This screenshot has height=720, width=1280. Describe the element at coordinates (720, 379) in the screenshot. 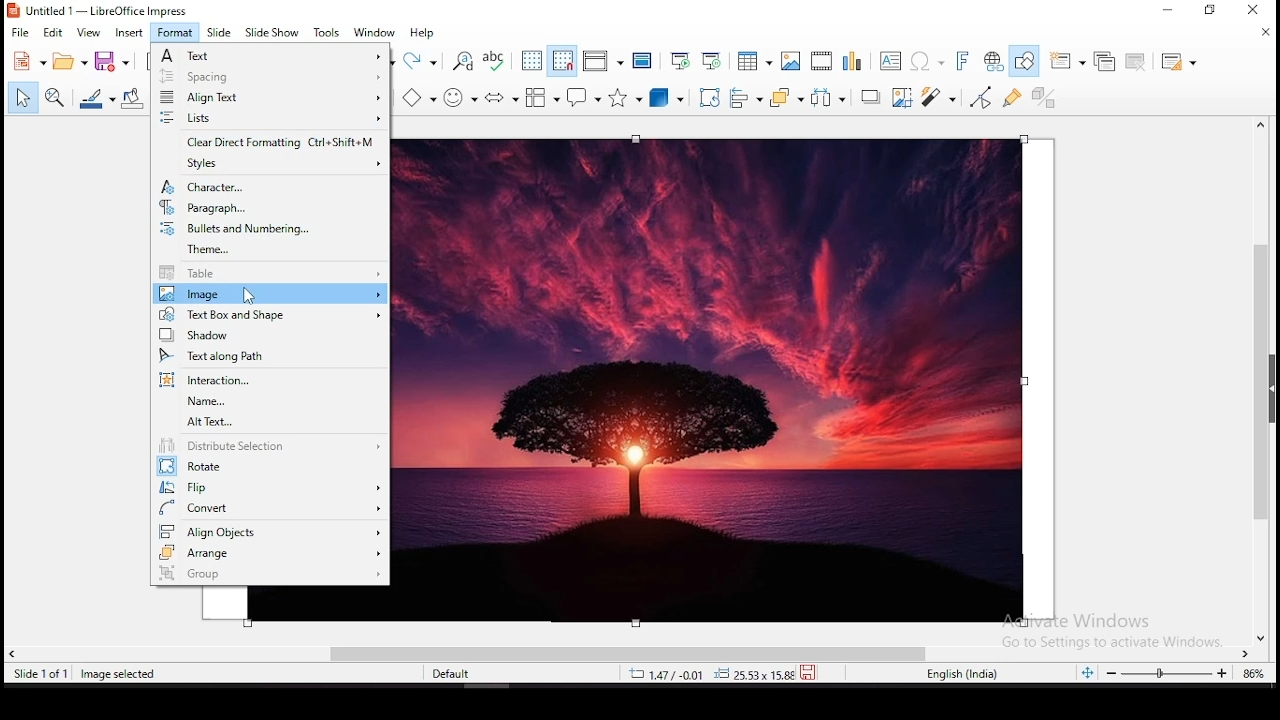

I see `image` at that location.